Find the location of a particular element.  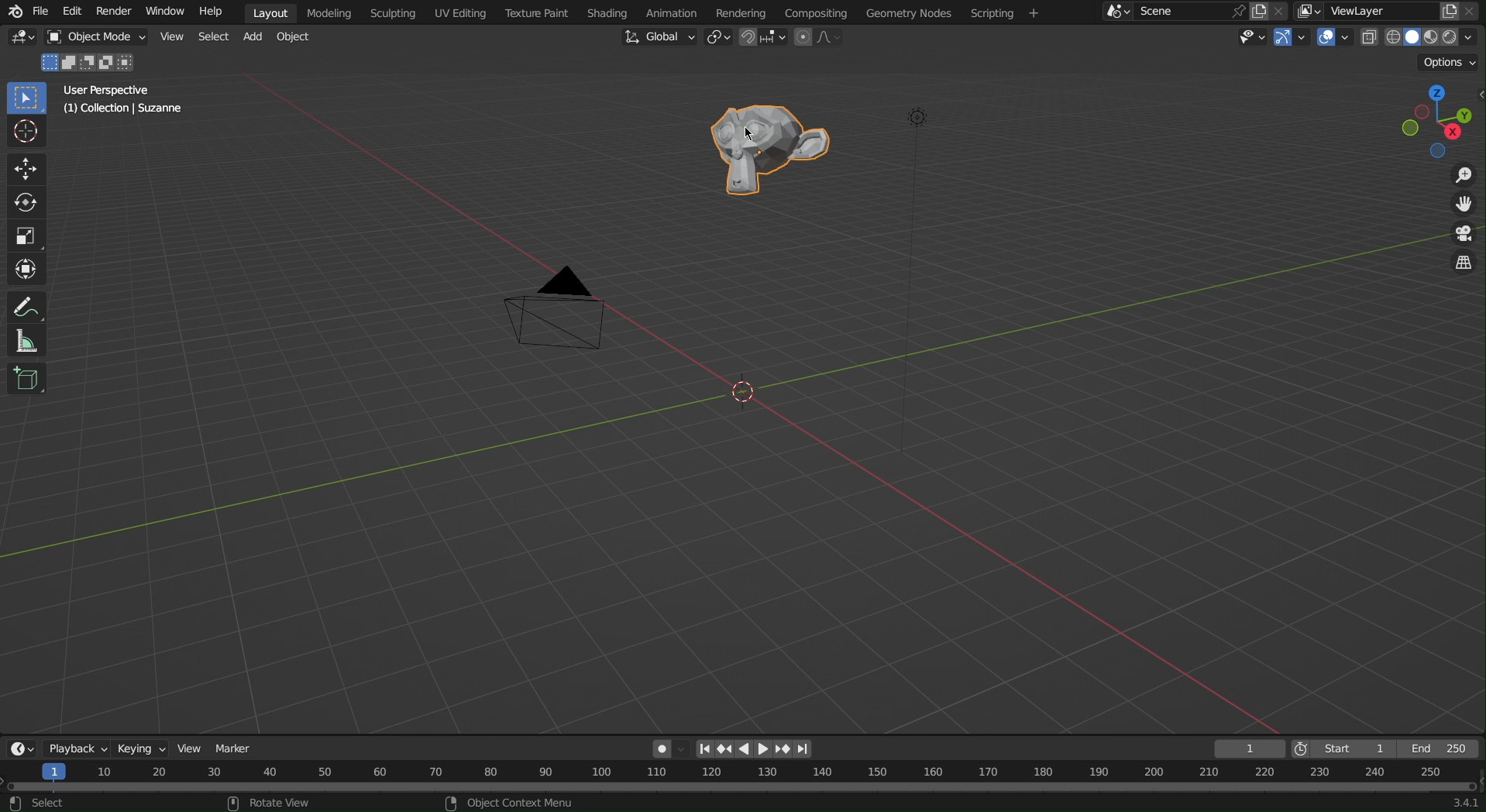

Cursor is located at coordinates (26, 132).